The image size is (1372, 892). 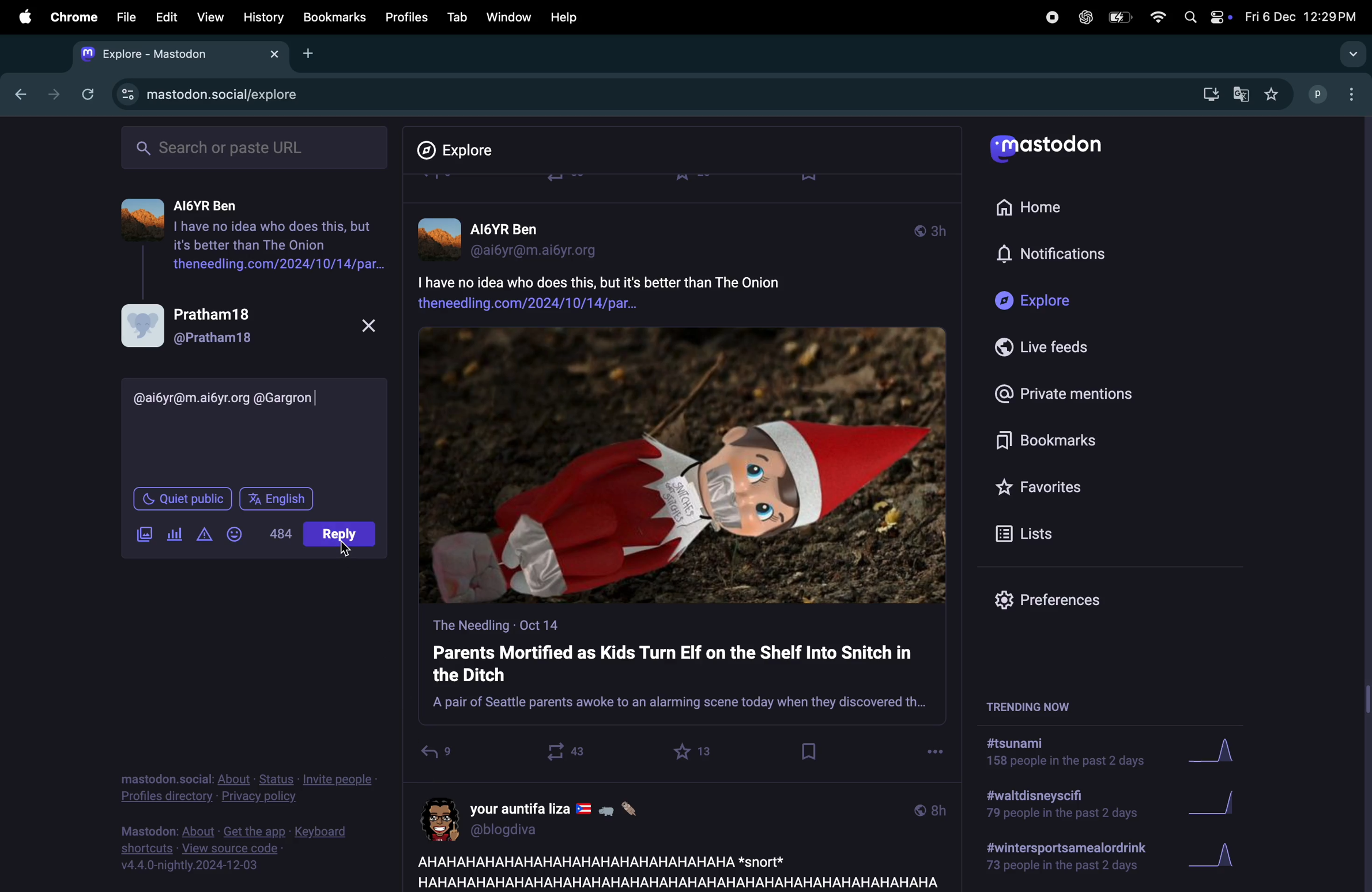 I want to click on Book mark, so click(x=333, y=17).